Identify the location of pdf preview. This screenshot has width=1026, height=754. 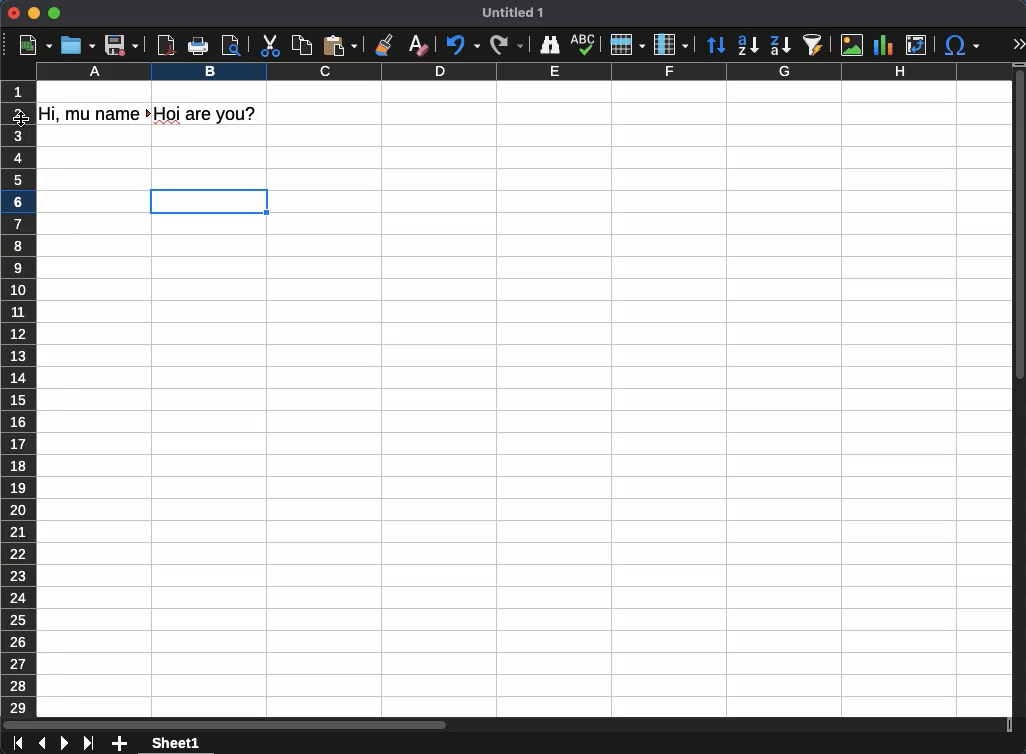
(167, 45).